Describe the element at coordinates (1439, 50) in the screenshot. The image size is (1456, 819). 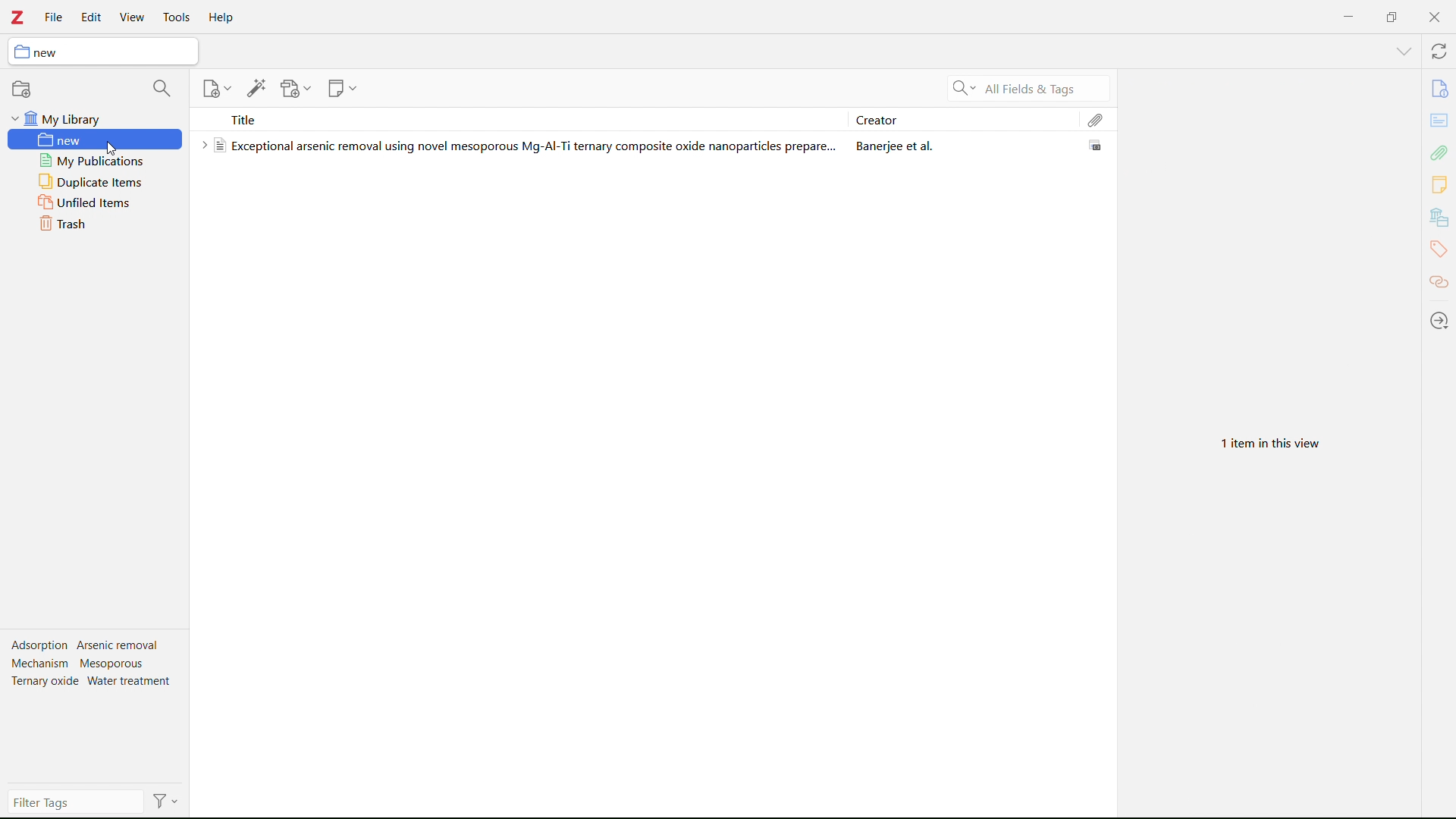
I see `sync with zotero.org` at that location.